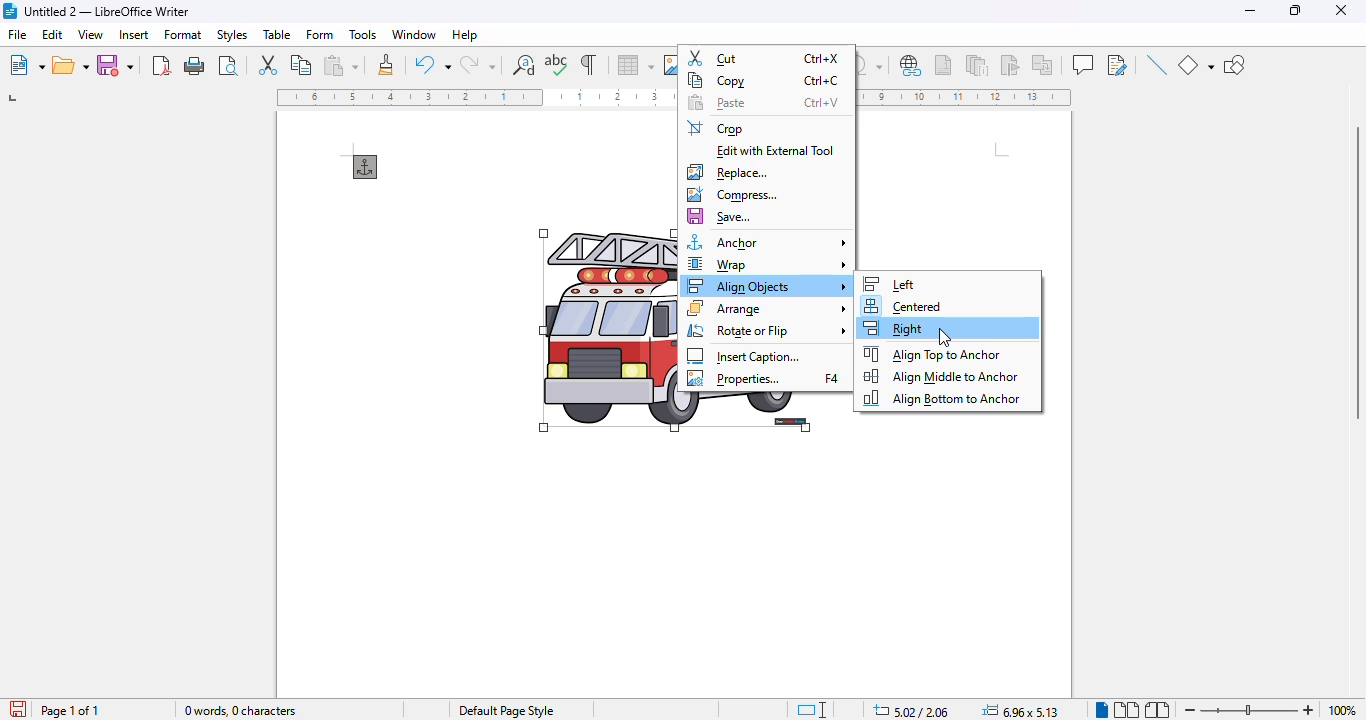 This screenshot has width=1366, height=720. Describe the element at coordinates (363, 35) in the screenshot. I see `tools` at that location.